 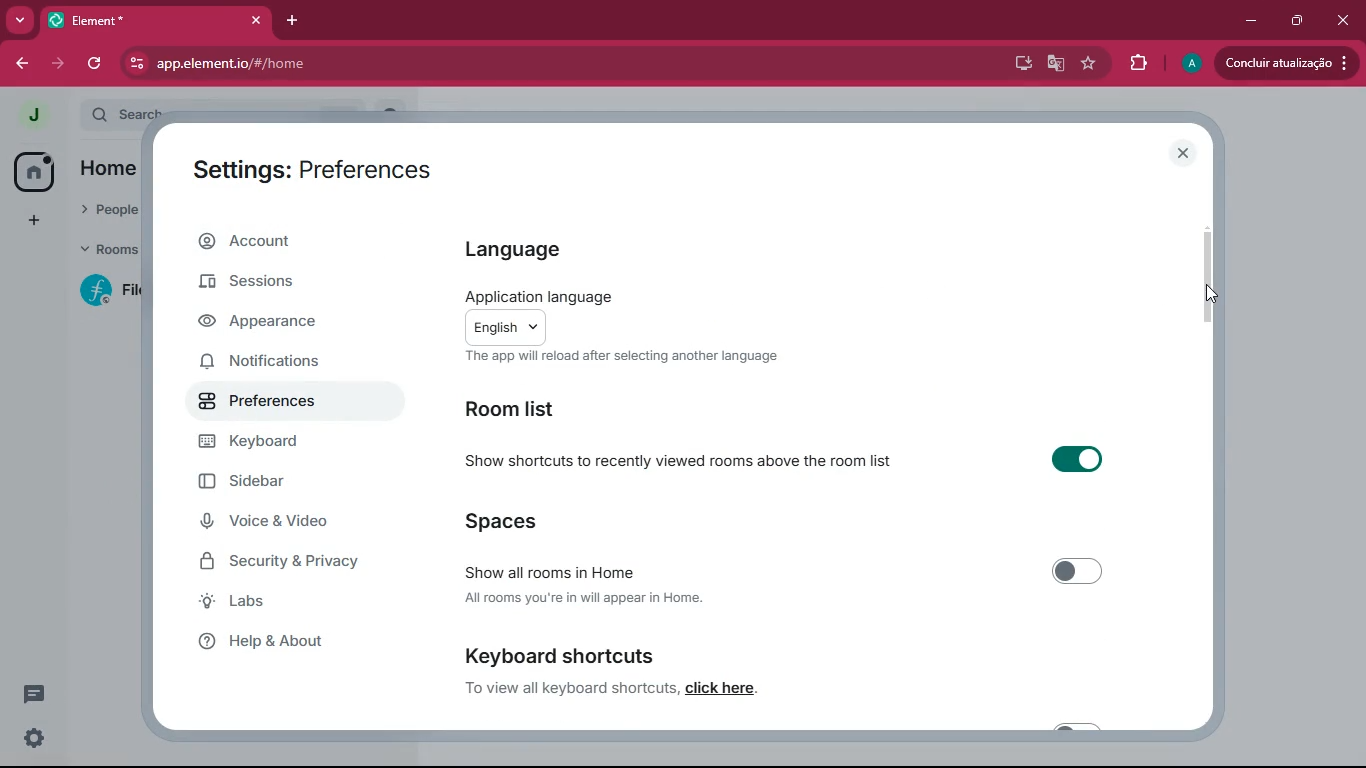 What do you see at coordinates (26, 63) in the screenshot?
I see `back` at bounding box center [26, 63].